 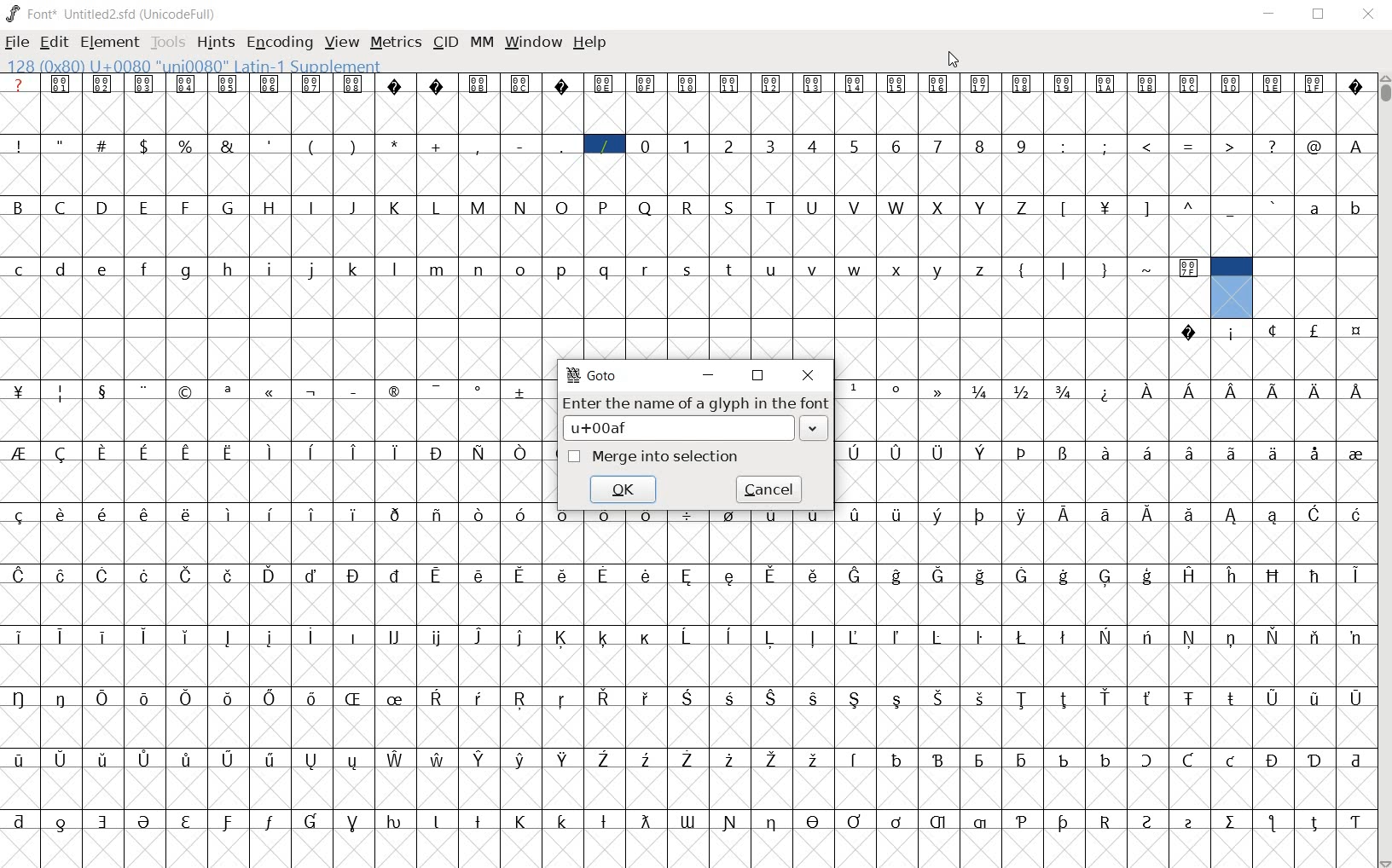 What do you see at coordinates (937, 637) in the screenshot?
I see `Symbol` at bounding box center [937, 637].